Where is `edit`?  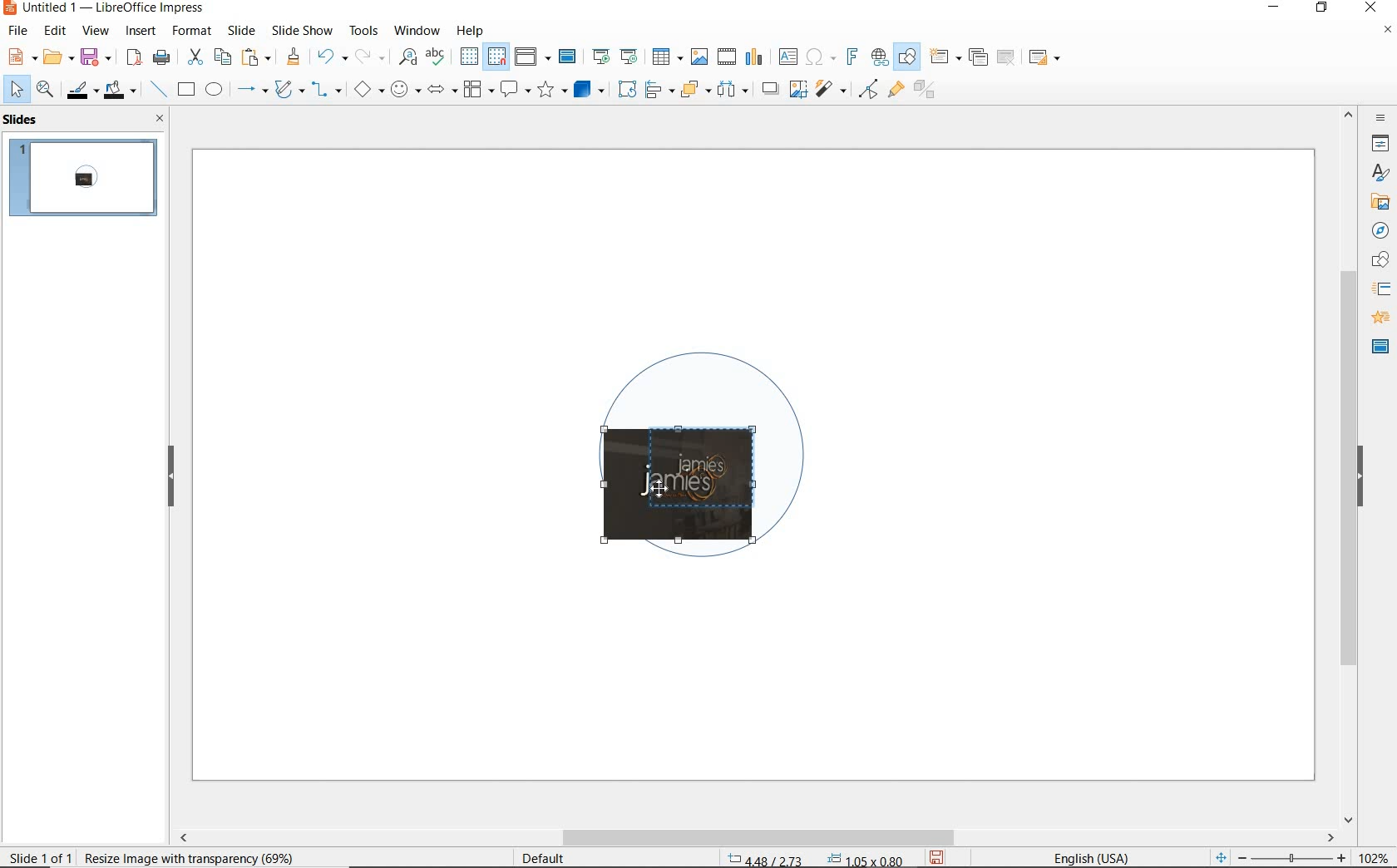 edit is located at coordinates (56, 31).